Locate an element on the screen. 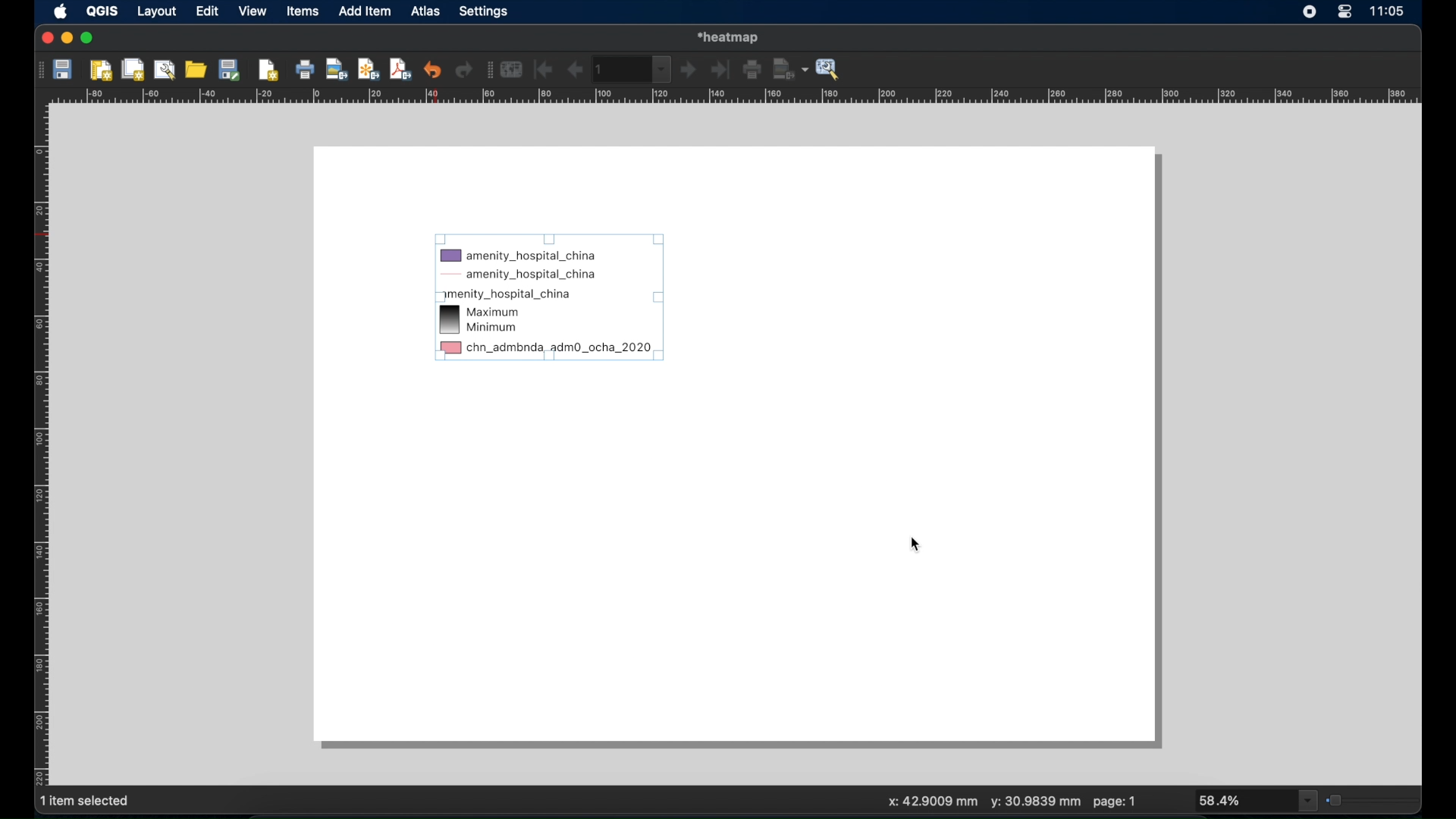 This screenshot has width=1456, height=819. y: mm is located at coordinates (1034, 803).